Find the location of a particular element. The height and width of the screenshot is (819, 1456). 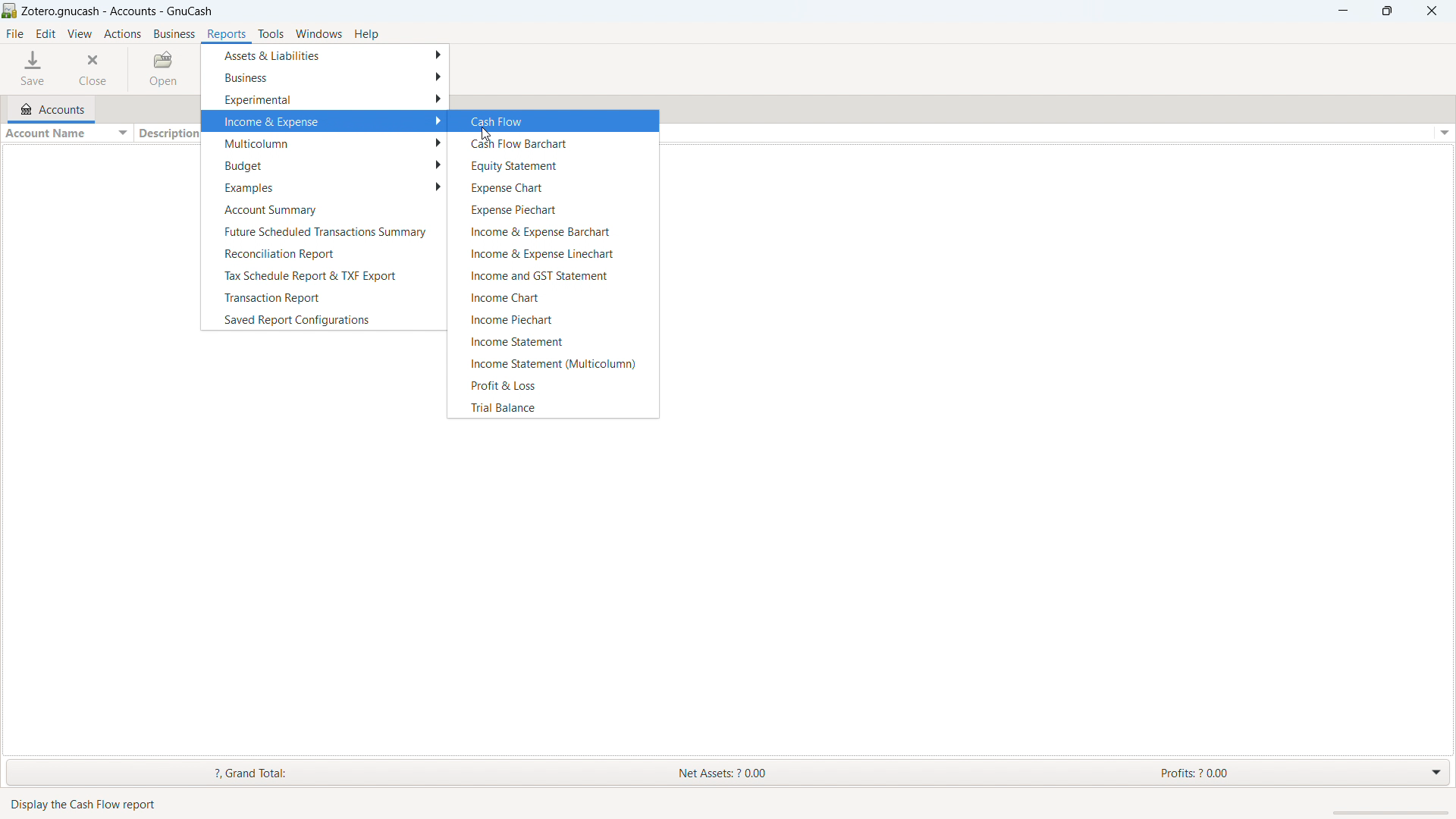

income chart is located at coordinates (552, 297).